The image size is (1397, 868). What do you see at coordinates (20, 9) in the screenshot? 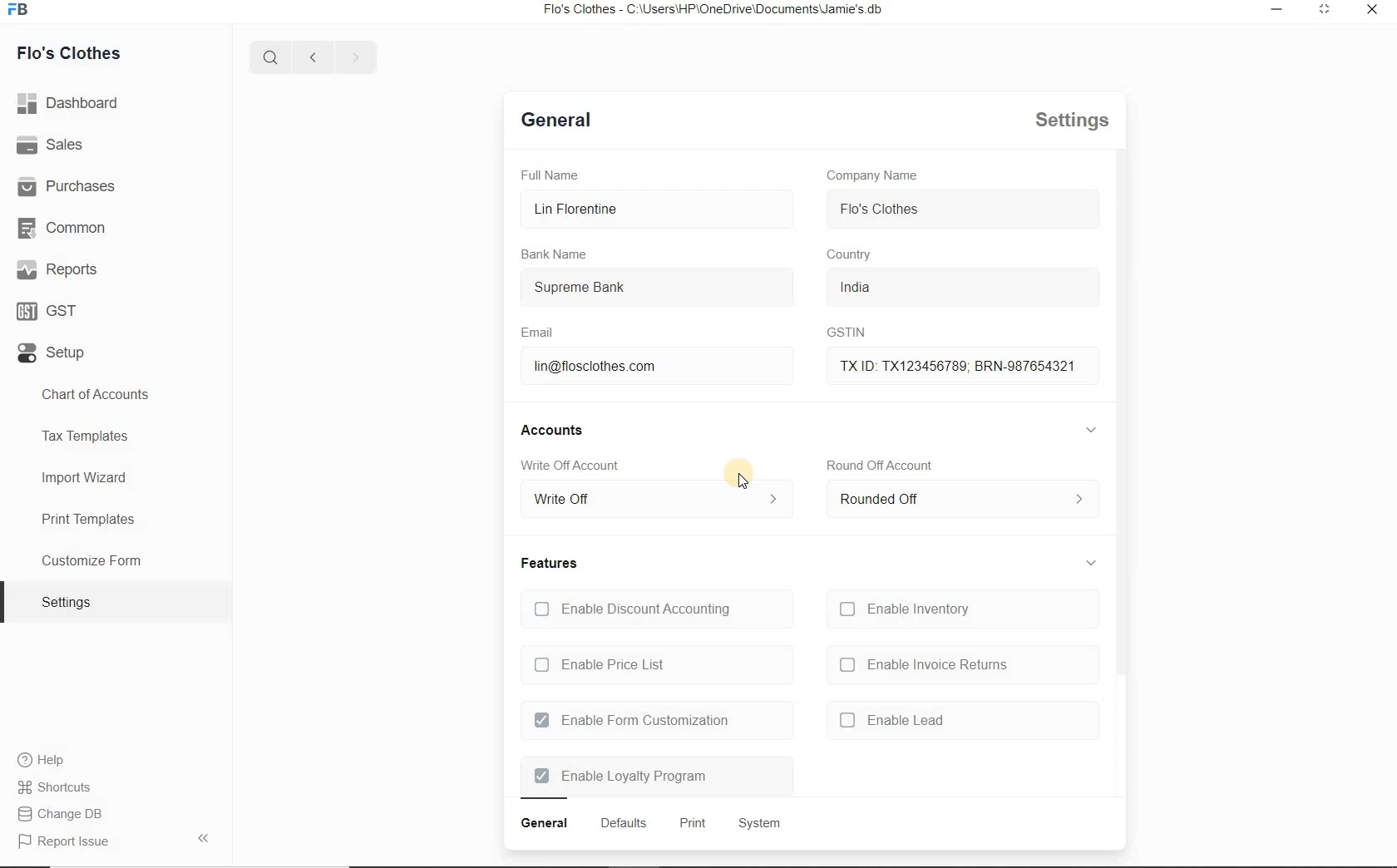
I see `Logo` at bounding box center [20, 9].